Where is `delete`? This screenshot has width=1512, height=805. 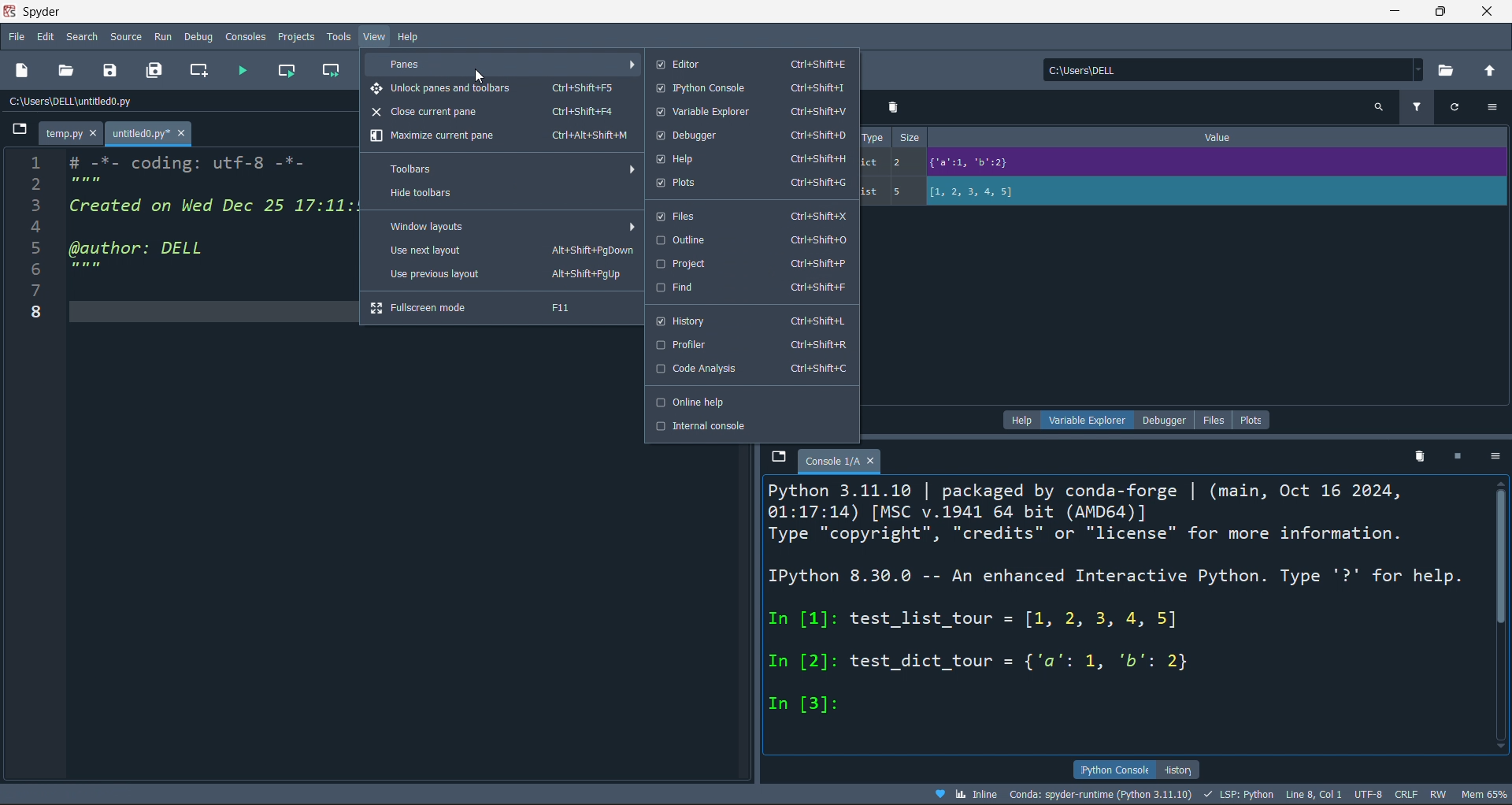 delete is located at coordinates (893, 108).